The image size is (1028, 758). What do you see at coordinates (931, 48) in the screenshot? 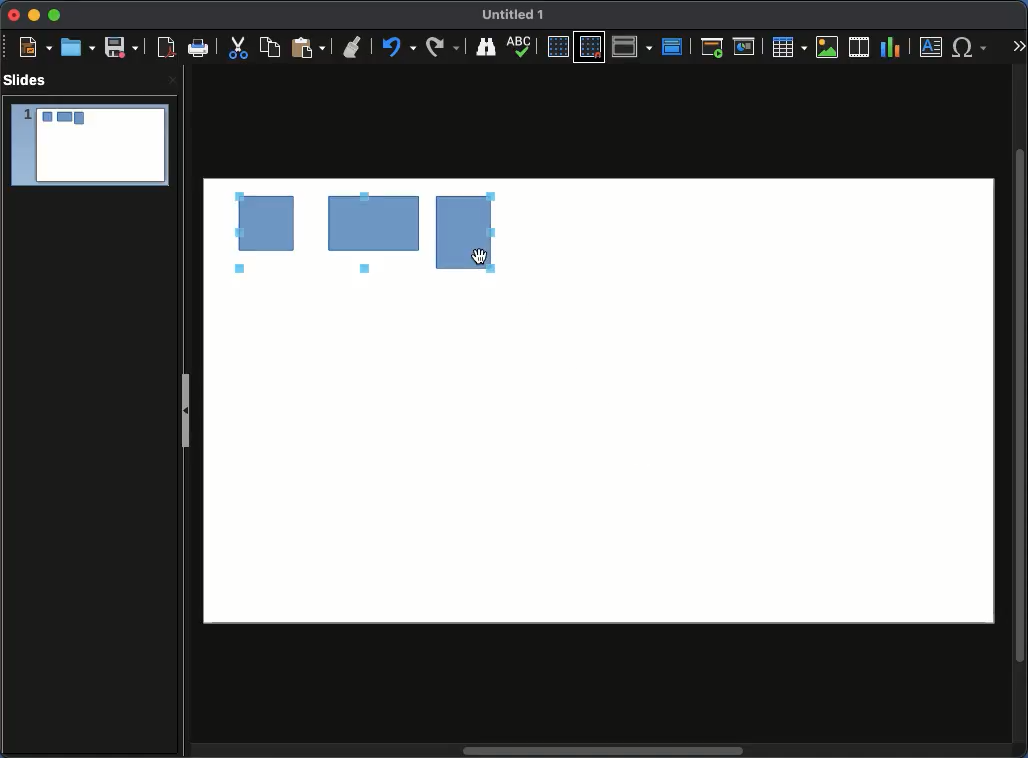
I see `Textbox` at bounding box center [931, 48].